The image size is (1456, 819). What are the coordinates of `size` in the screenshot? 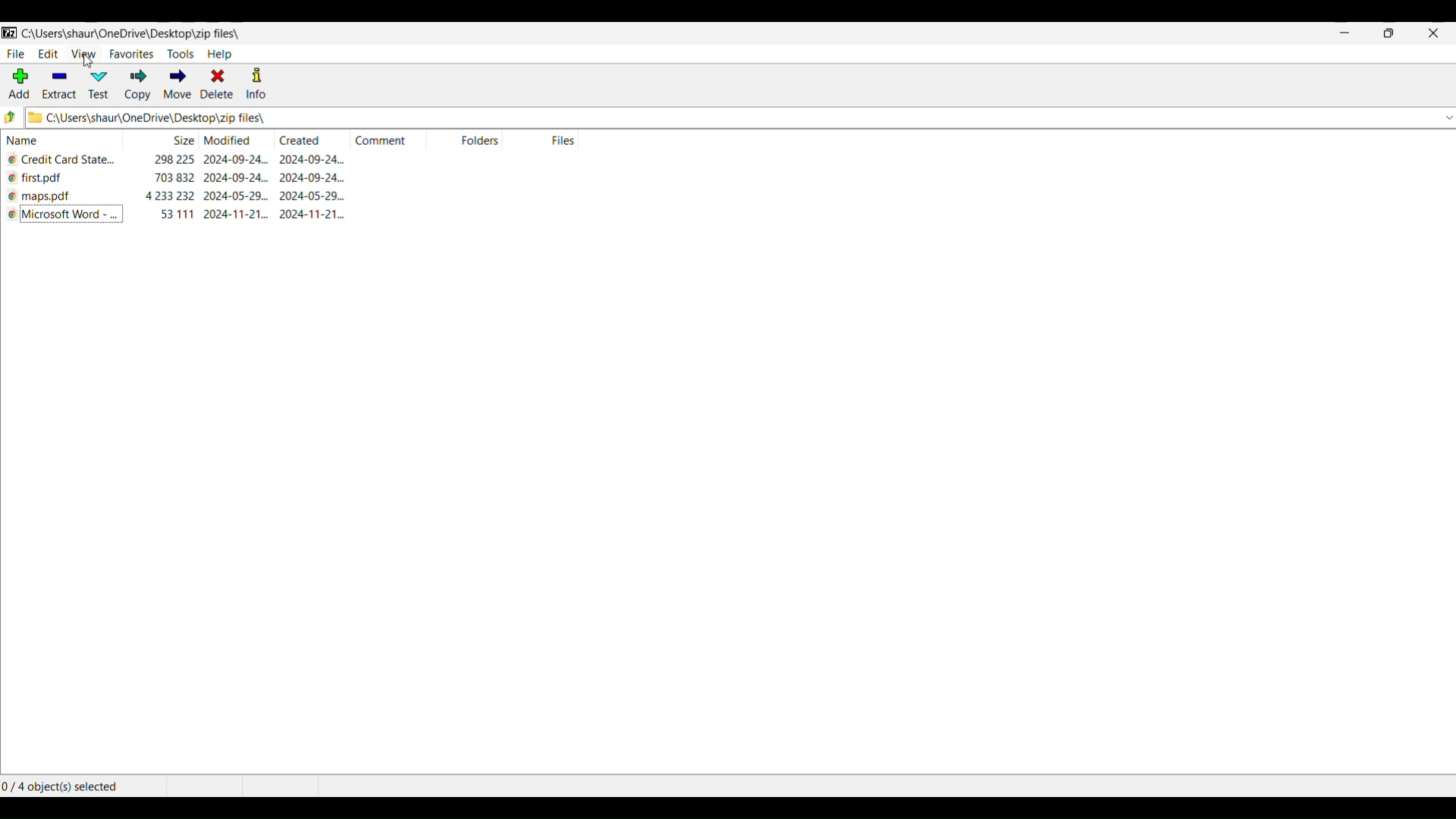 It's located at (180, 142).